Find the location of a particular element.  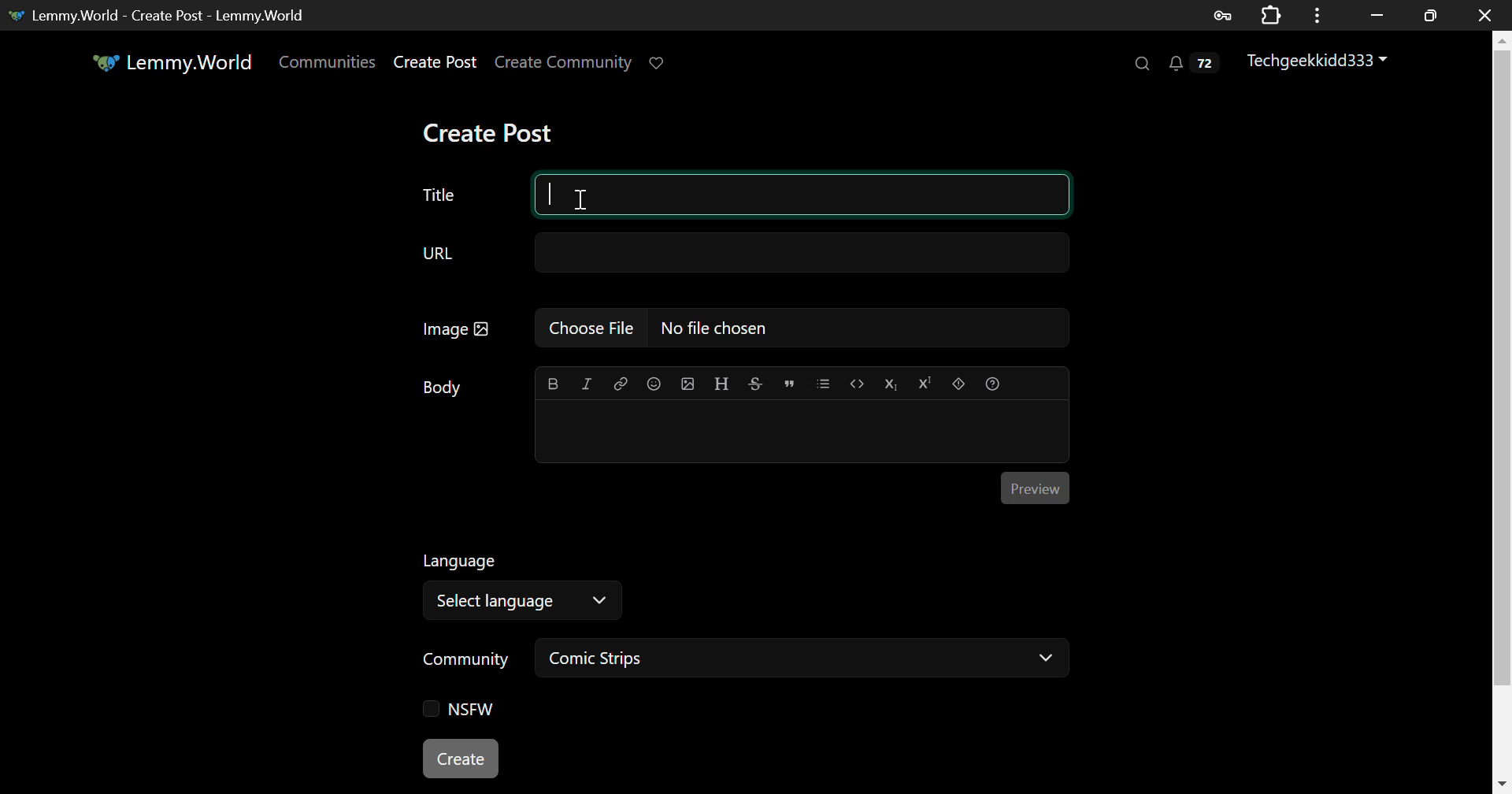

Spoiler is located at coordinates (958, 384).